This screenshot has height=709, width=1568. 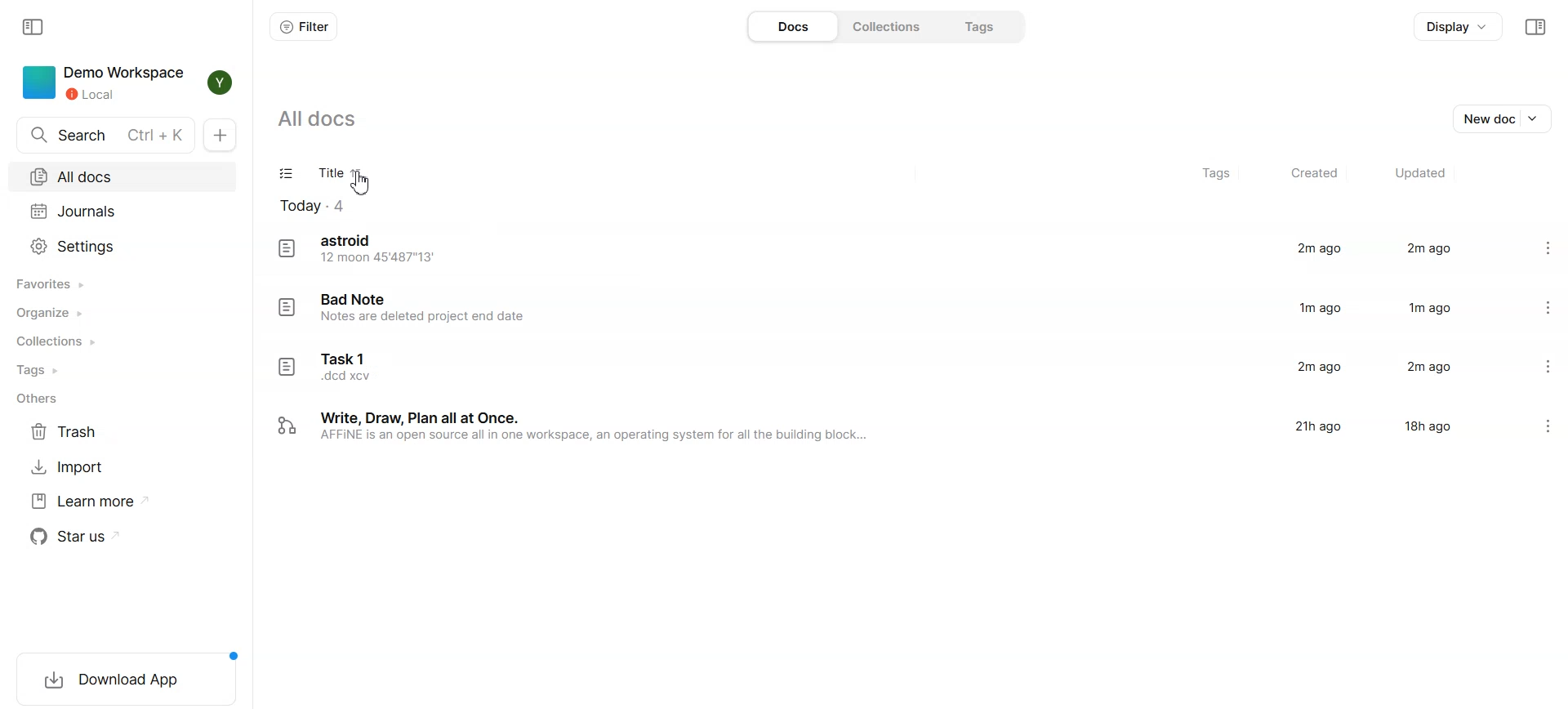 I want to click on 18h ago, so click(x=1428, y=429).